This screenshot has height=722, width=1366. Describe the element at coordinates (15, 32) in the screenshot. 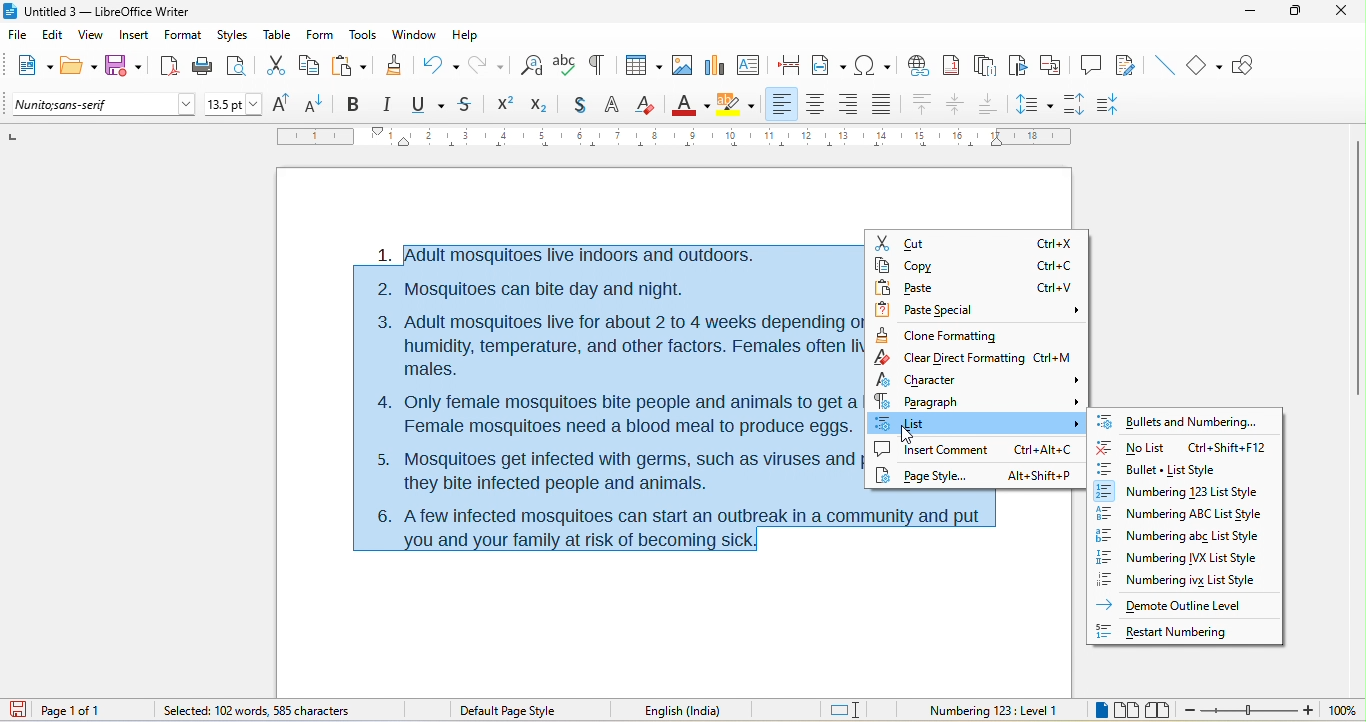

I see `file` at that location.